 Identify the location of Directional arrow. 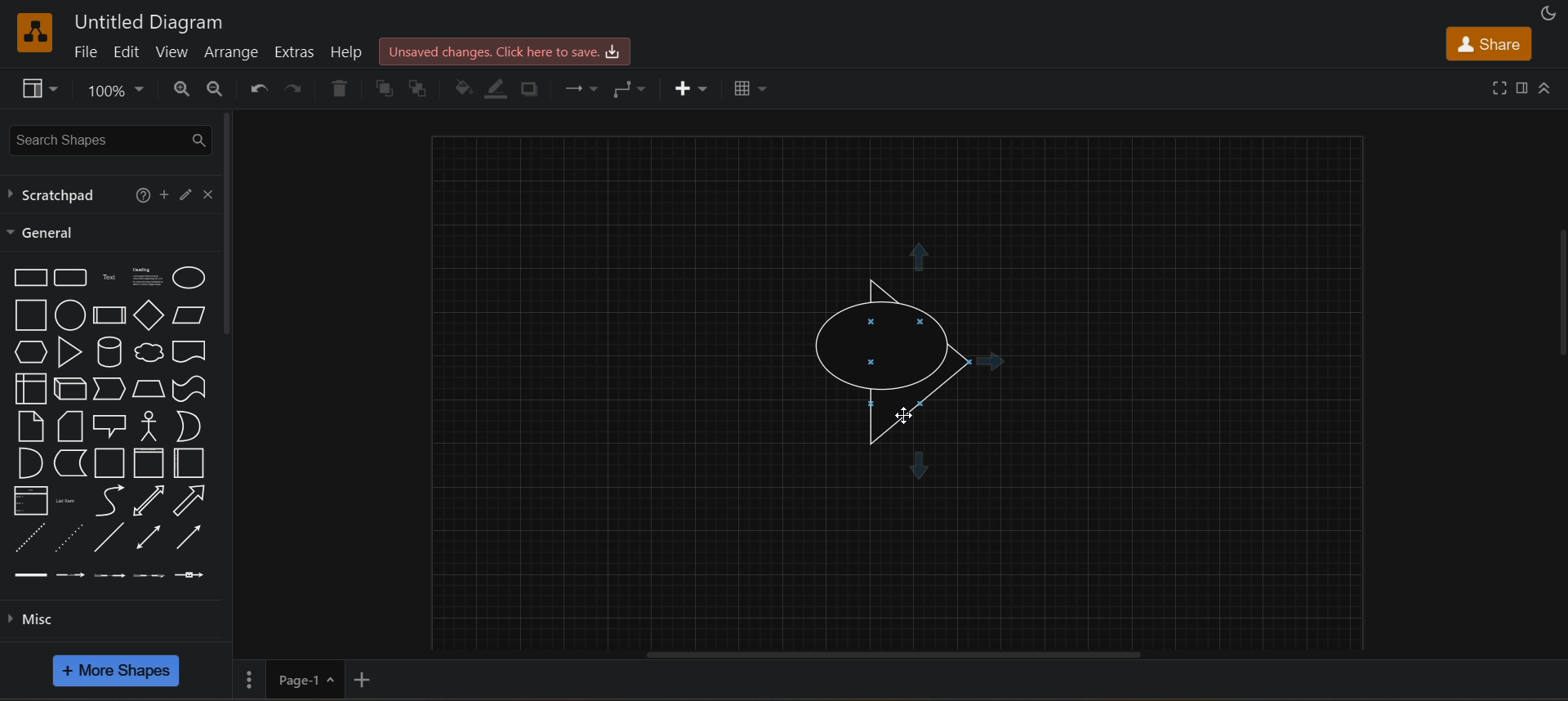
(187, 500).